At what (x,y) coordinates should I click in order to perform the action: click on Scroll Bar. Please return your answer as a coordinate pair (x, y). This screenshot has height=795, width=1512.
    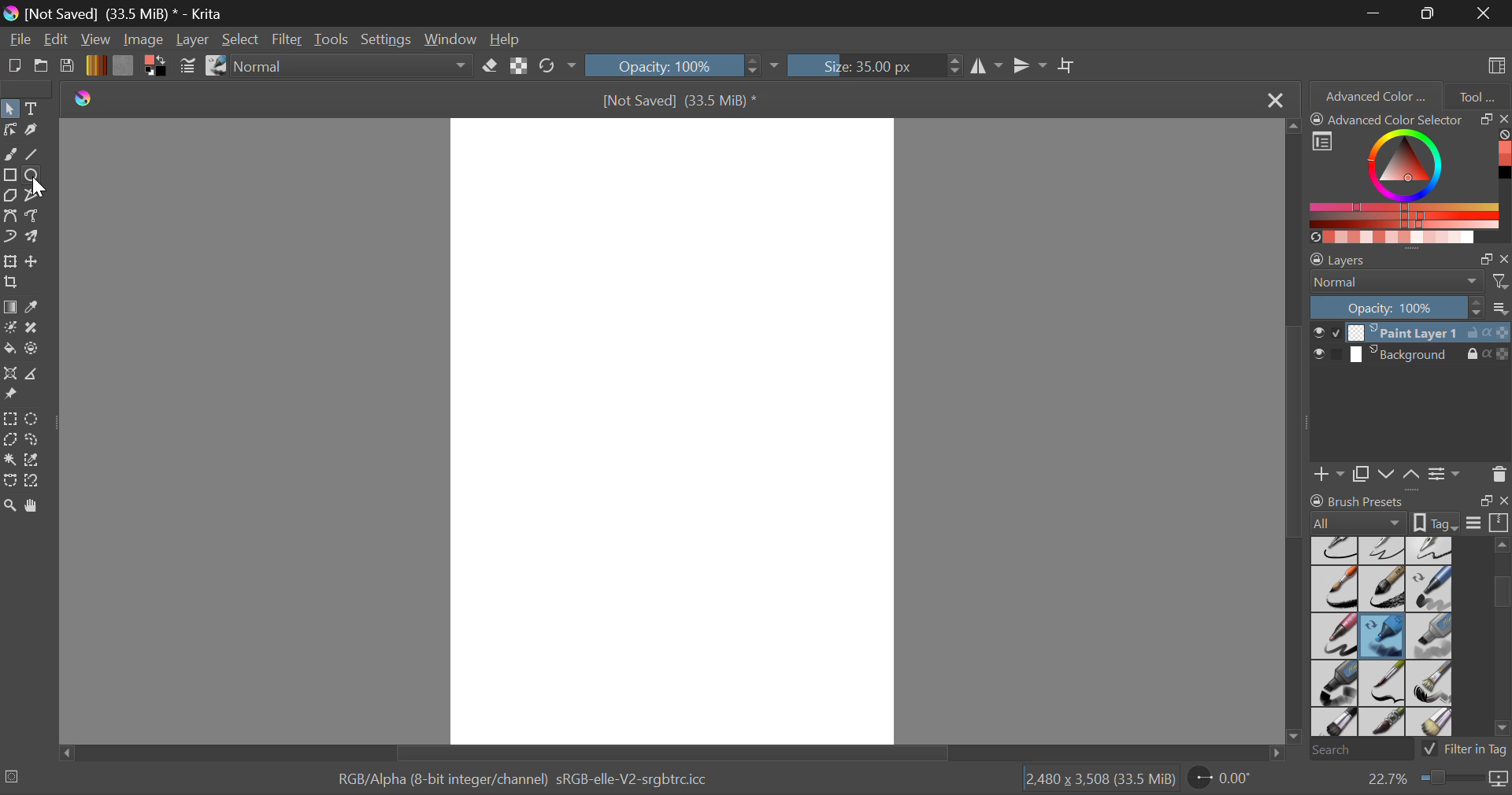
    Looking at the image, I should click on (1296, 434).